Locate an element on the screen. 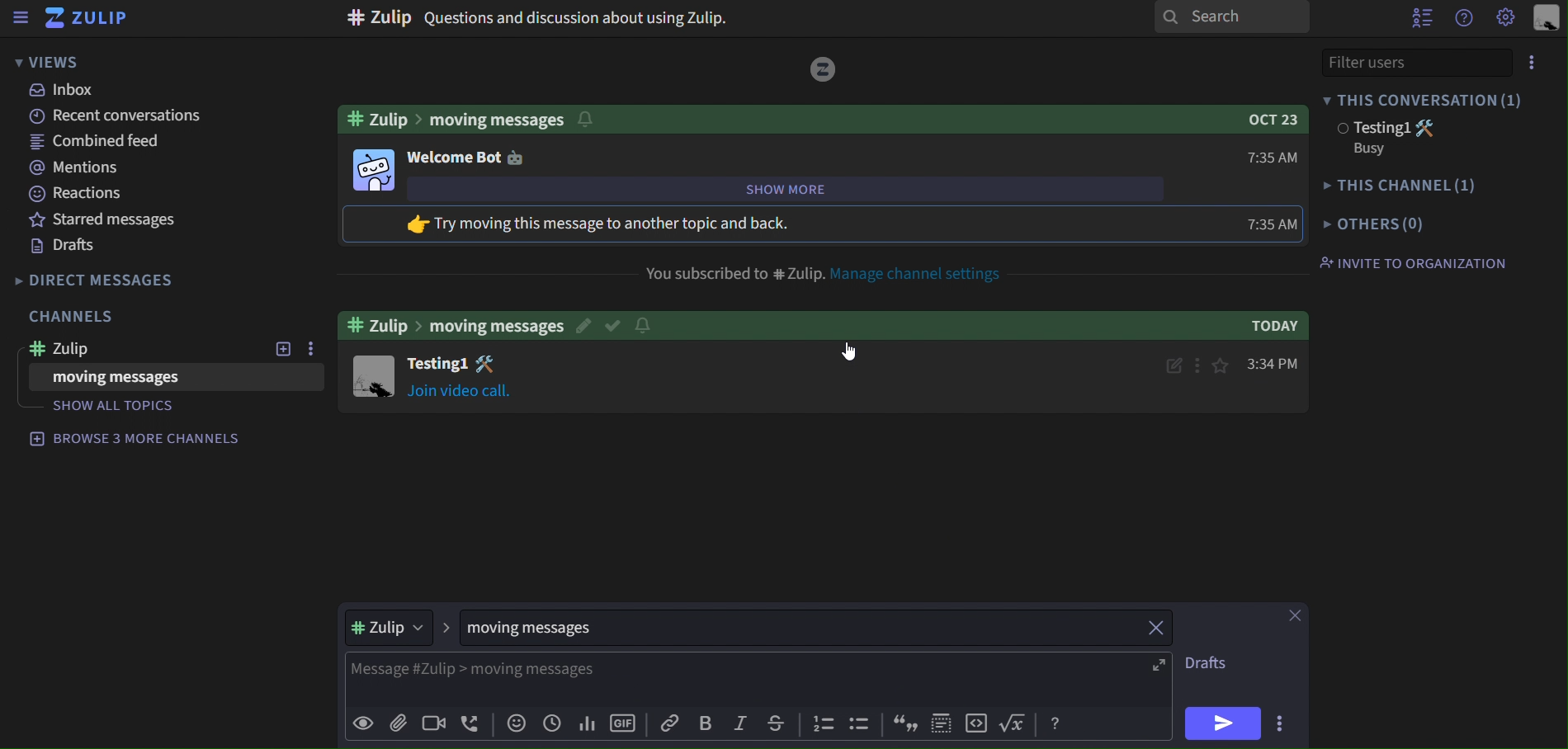 This screenshot has height=749, width=1568. views is located at coordinates (51, 61).